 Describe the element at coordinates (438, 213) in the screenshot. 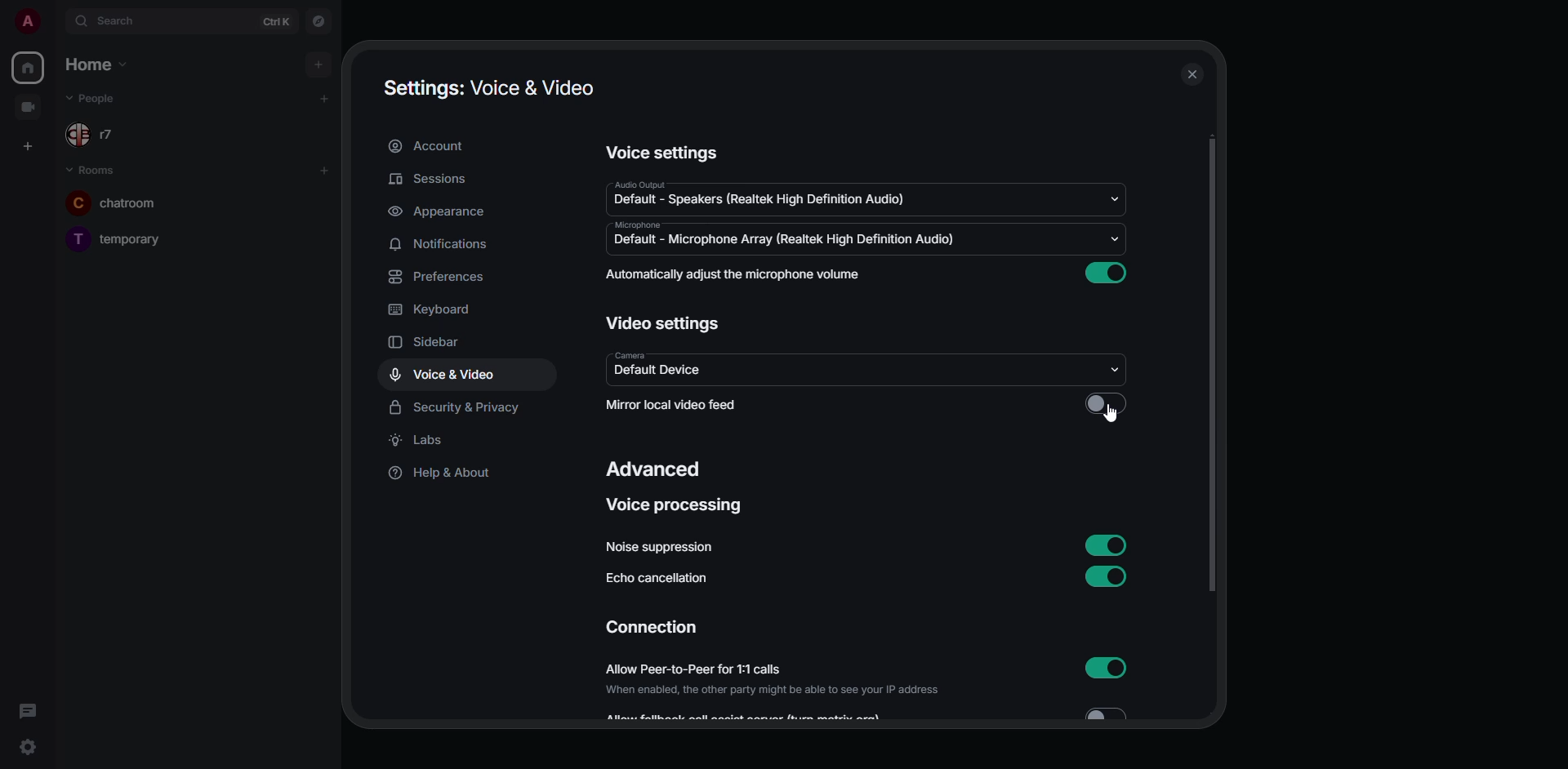

I see `appearance` at that location.